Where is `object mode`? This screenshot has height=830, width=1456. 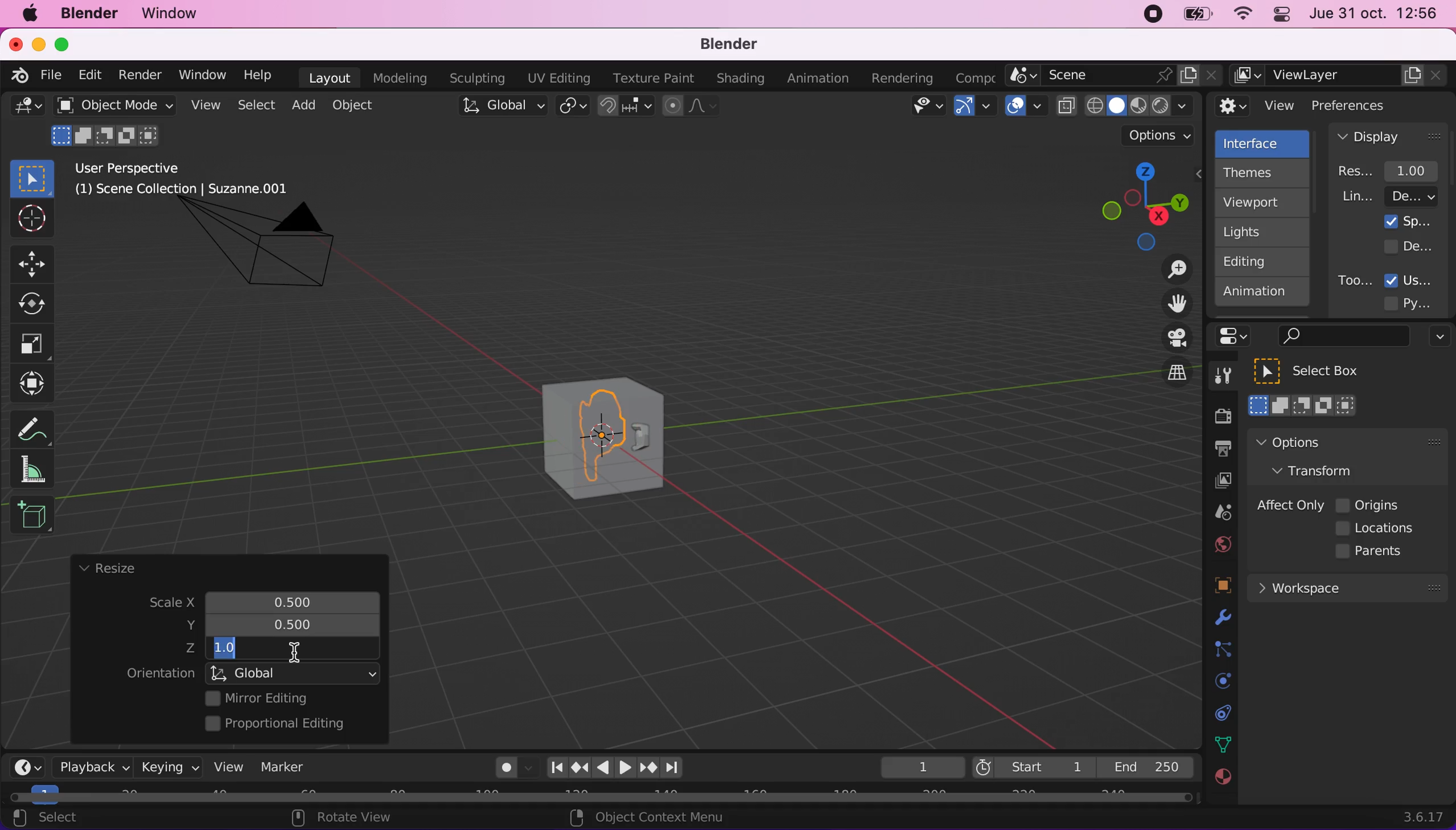
object mode is located at coordinates (111, 105).